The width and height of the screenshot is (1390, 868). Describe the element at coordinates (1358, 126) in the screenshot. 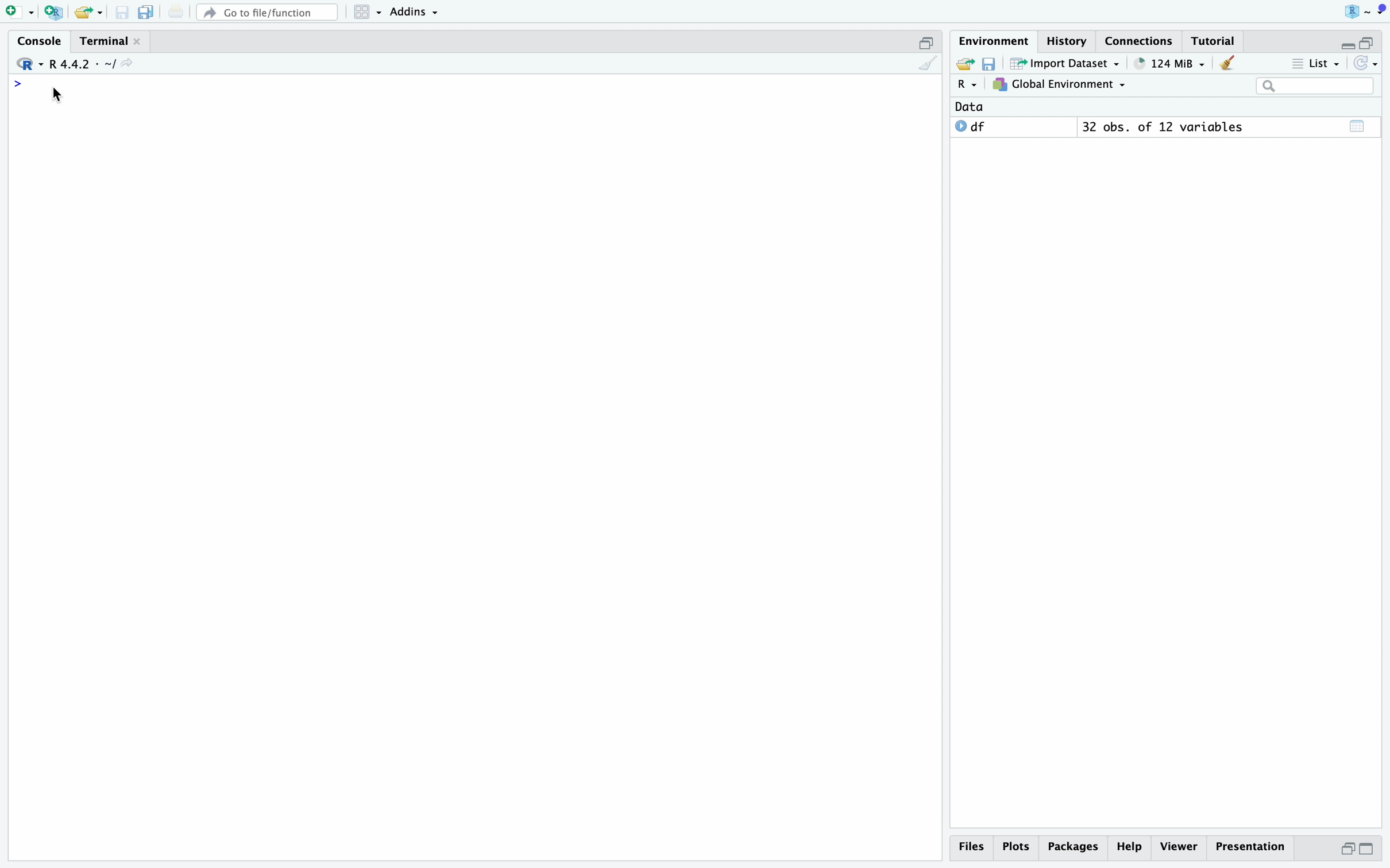

I see `table view` at that location.